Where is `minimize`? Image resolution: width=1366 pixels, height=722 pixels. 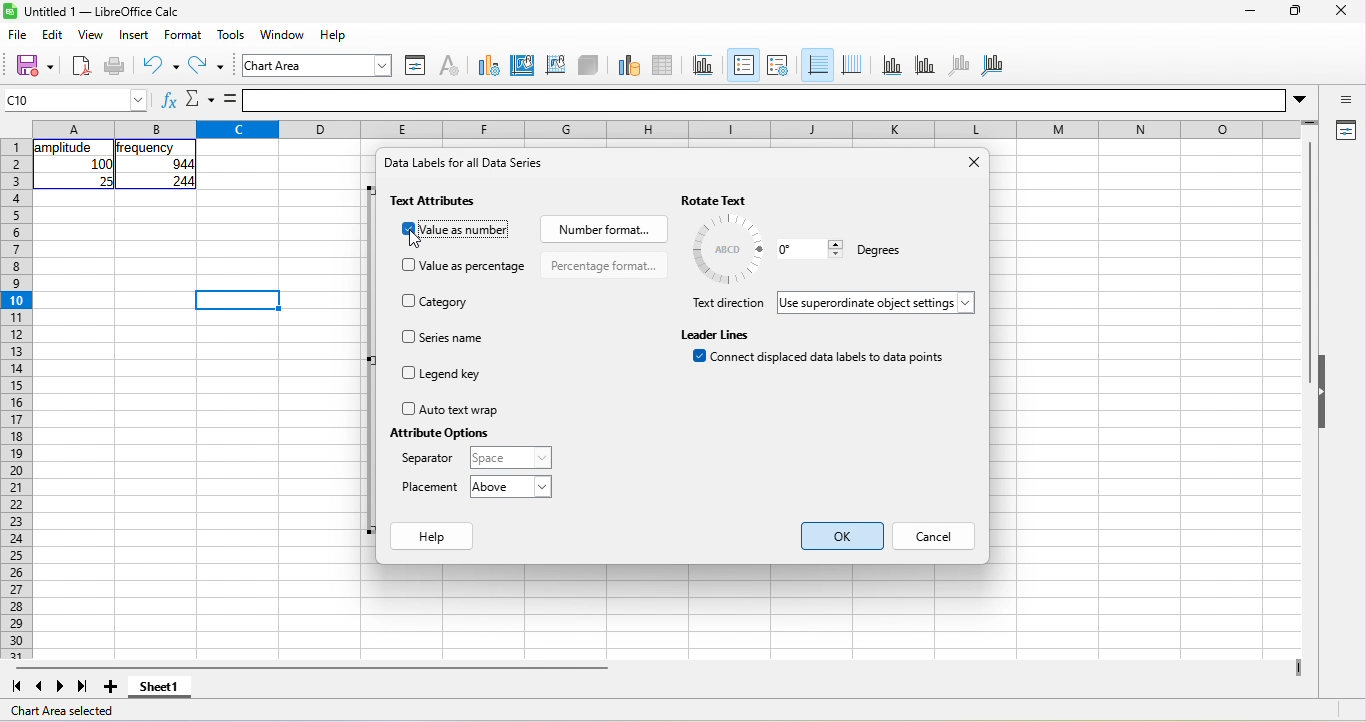
minimize is located at coordinates (1248, 13).